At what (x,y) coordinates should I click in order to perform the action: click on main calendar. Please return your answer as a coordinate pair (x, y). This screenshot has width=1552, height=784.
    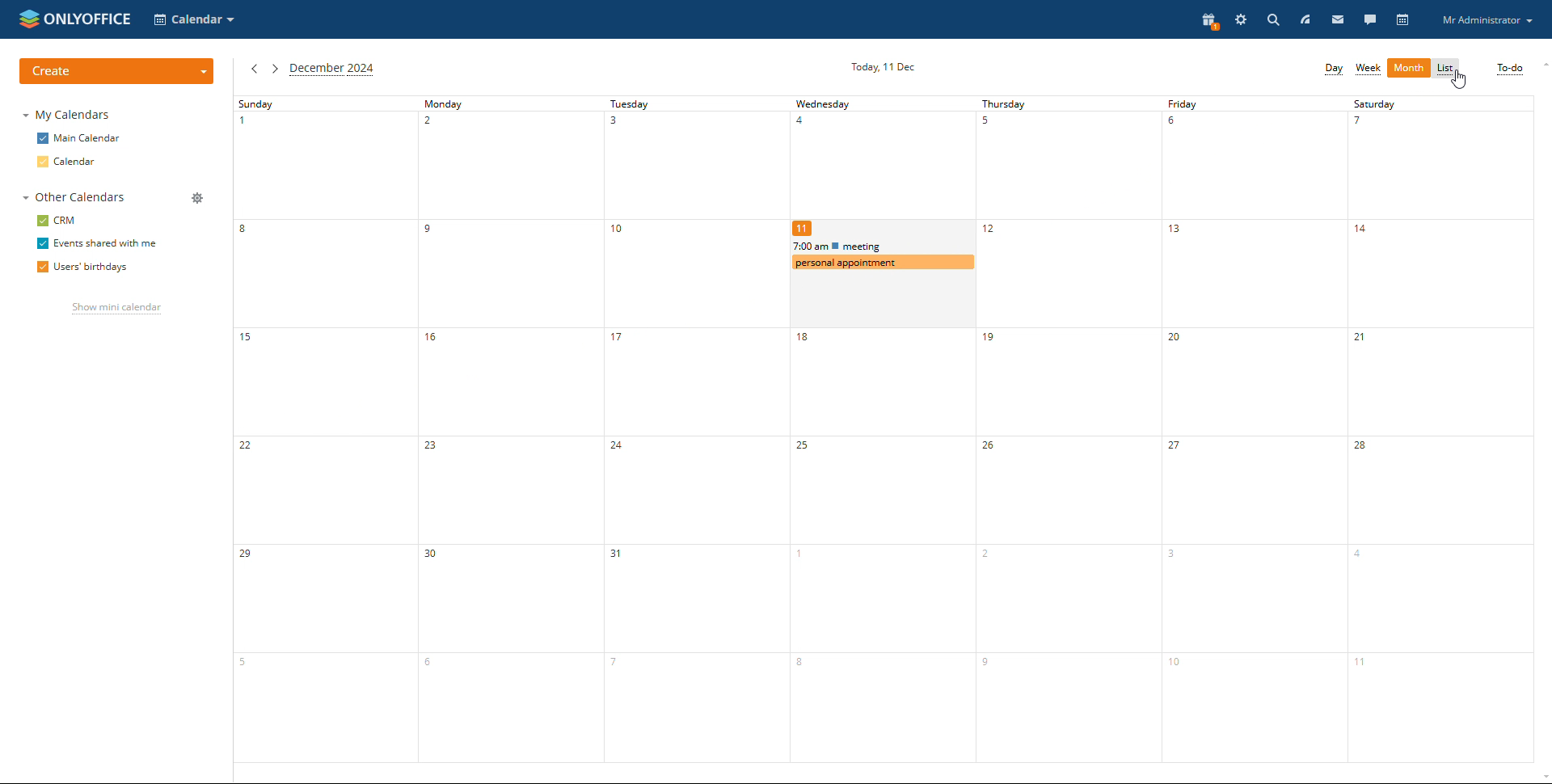
    Looking at the image, I should click on (80, 138).